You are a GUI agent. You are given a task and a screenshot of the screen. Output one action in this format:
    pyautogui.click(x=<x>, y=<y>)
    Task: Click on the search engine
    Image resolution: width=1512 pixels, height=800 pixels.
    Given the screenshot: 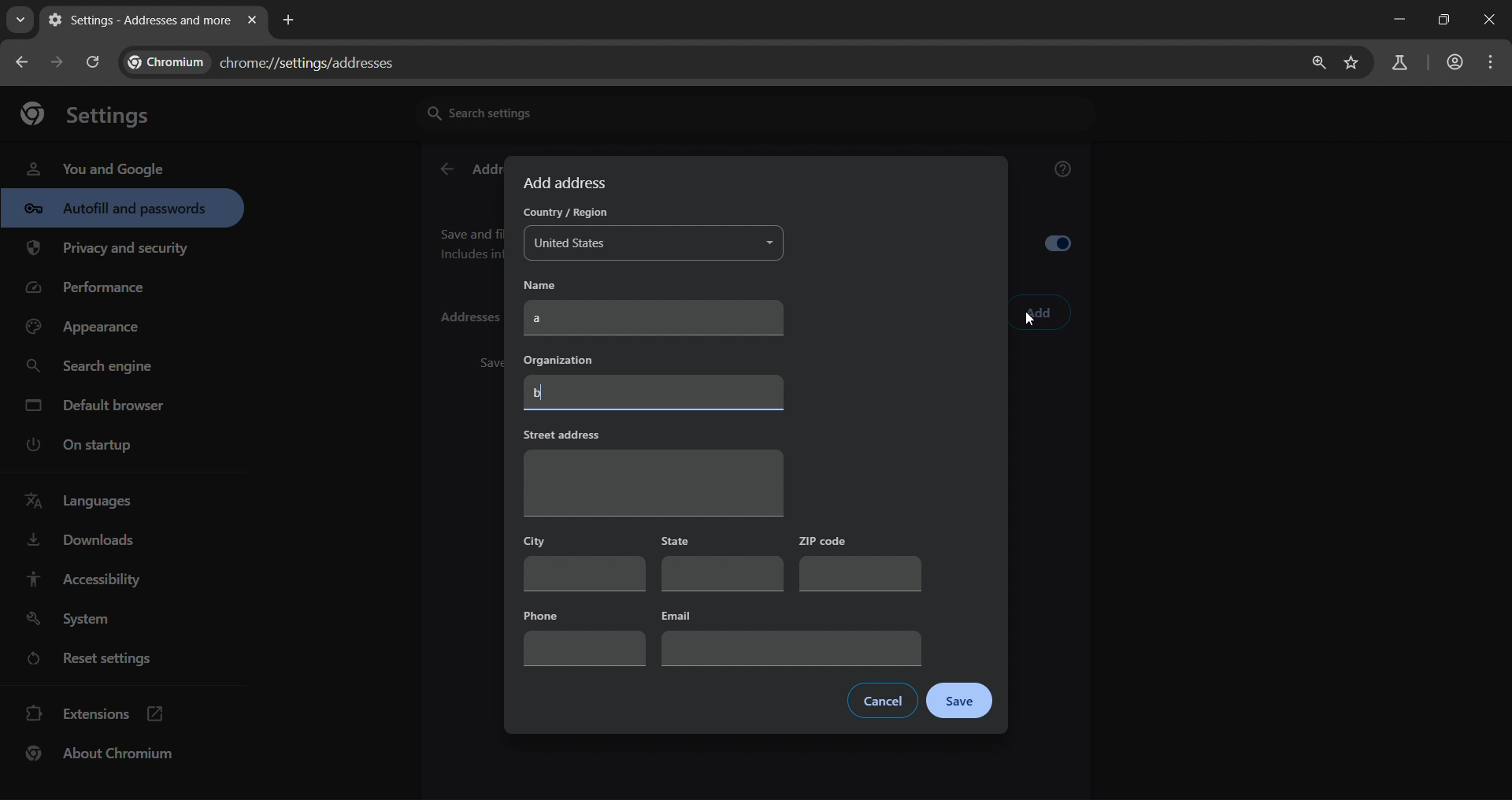 What is the action you would take?
    pyautogui.click(x=94, y=367)
    